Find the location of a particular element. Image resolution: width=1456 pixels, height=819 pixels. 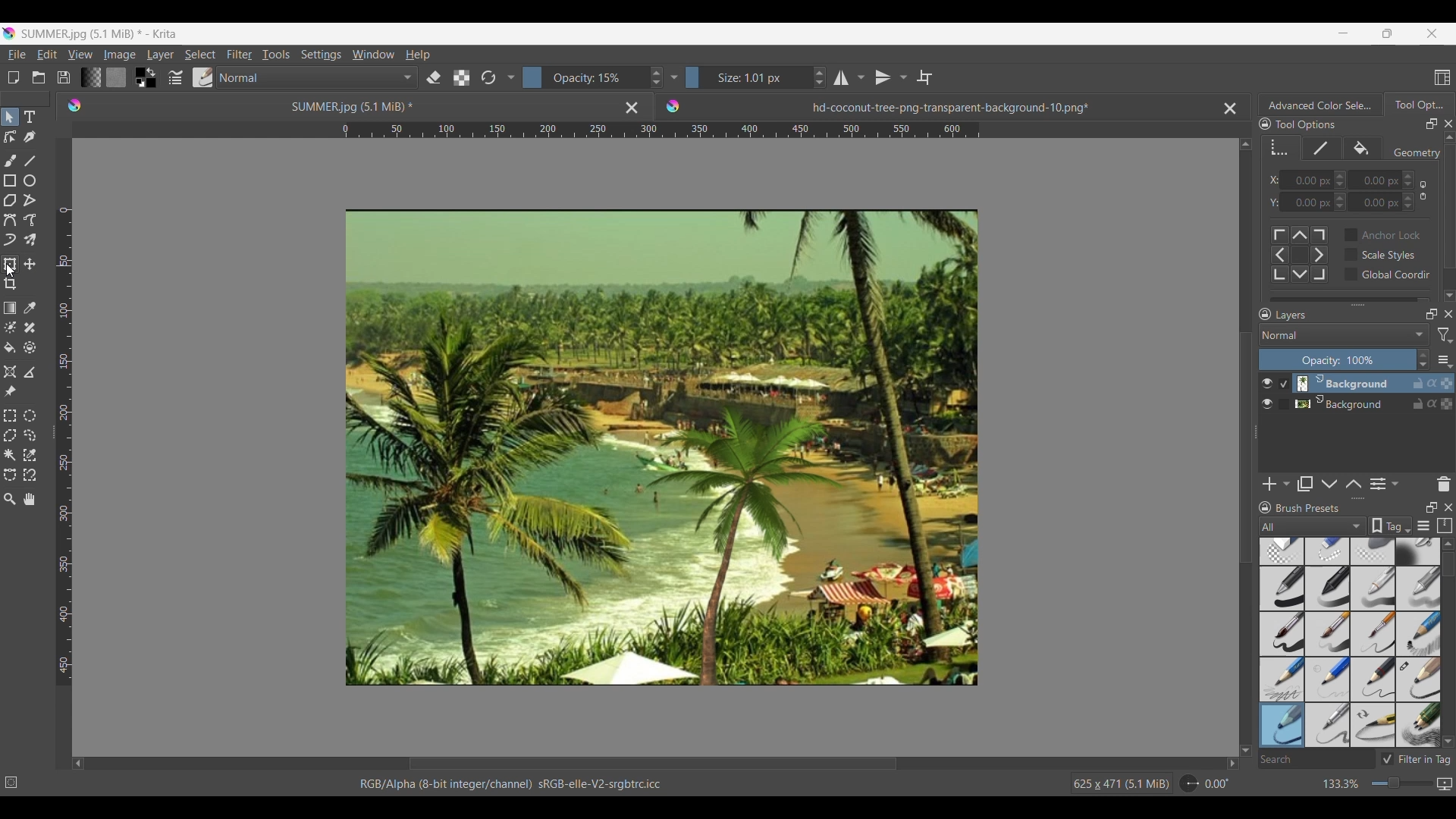

Cursor clicking on Transform tool is located at coordinates (13, 270).